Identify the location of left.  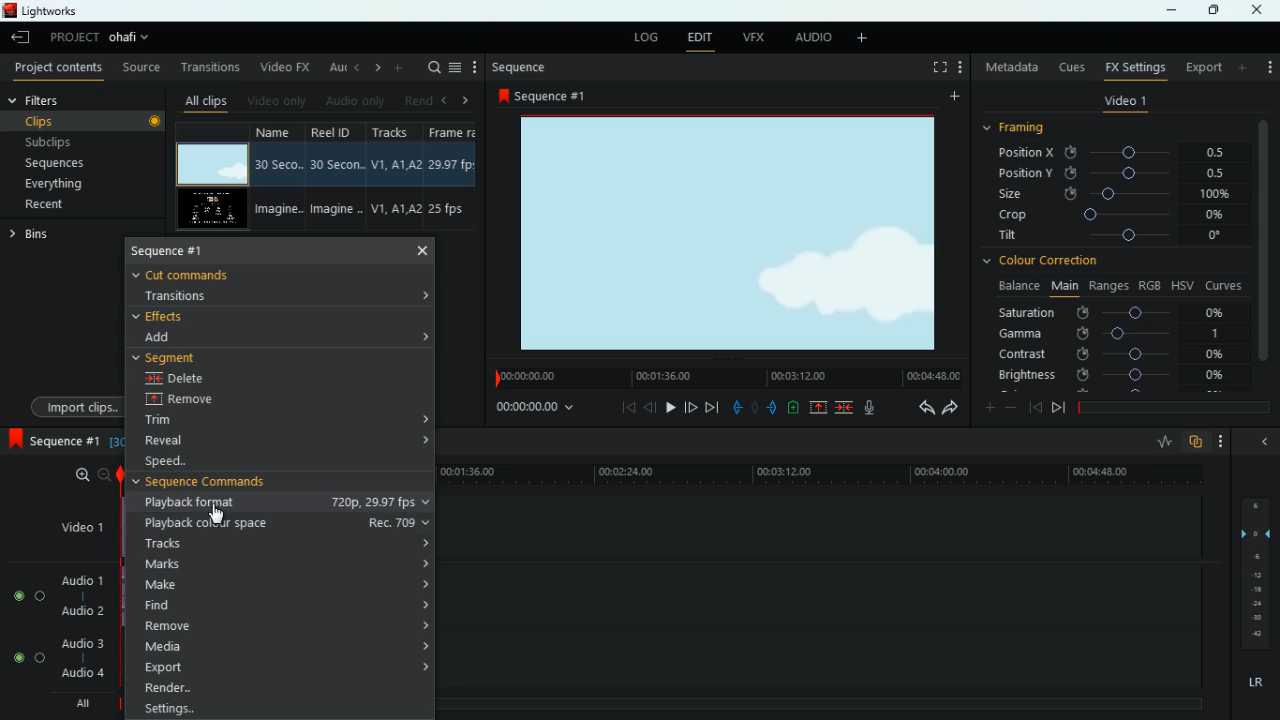
(443, 100).